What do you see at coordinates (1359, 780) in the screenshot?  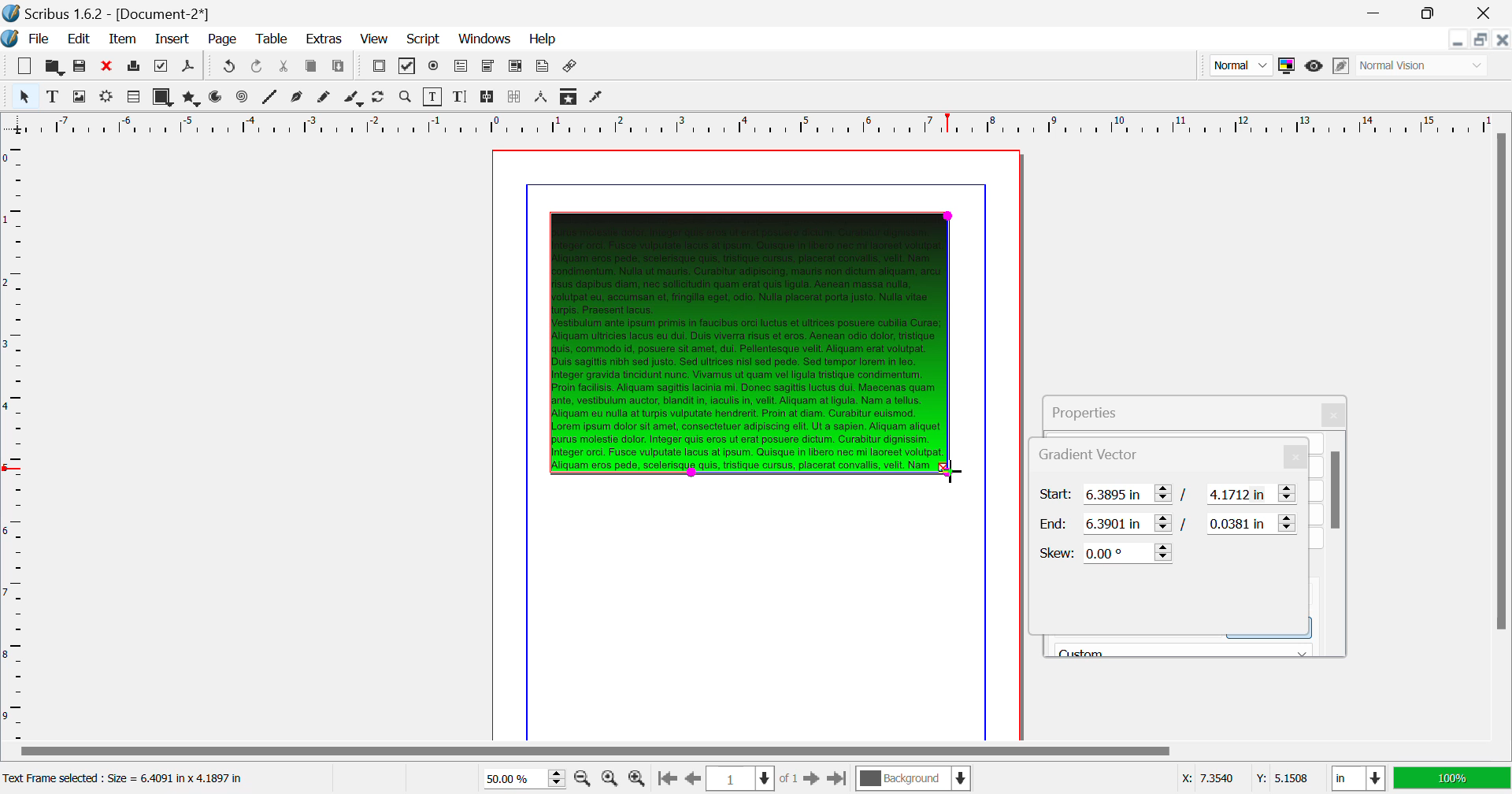 I see `Measurement Units` at bounding box center [1359, 780].